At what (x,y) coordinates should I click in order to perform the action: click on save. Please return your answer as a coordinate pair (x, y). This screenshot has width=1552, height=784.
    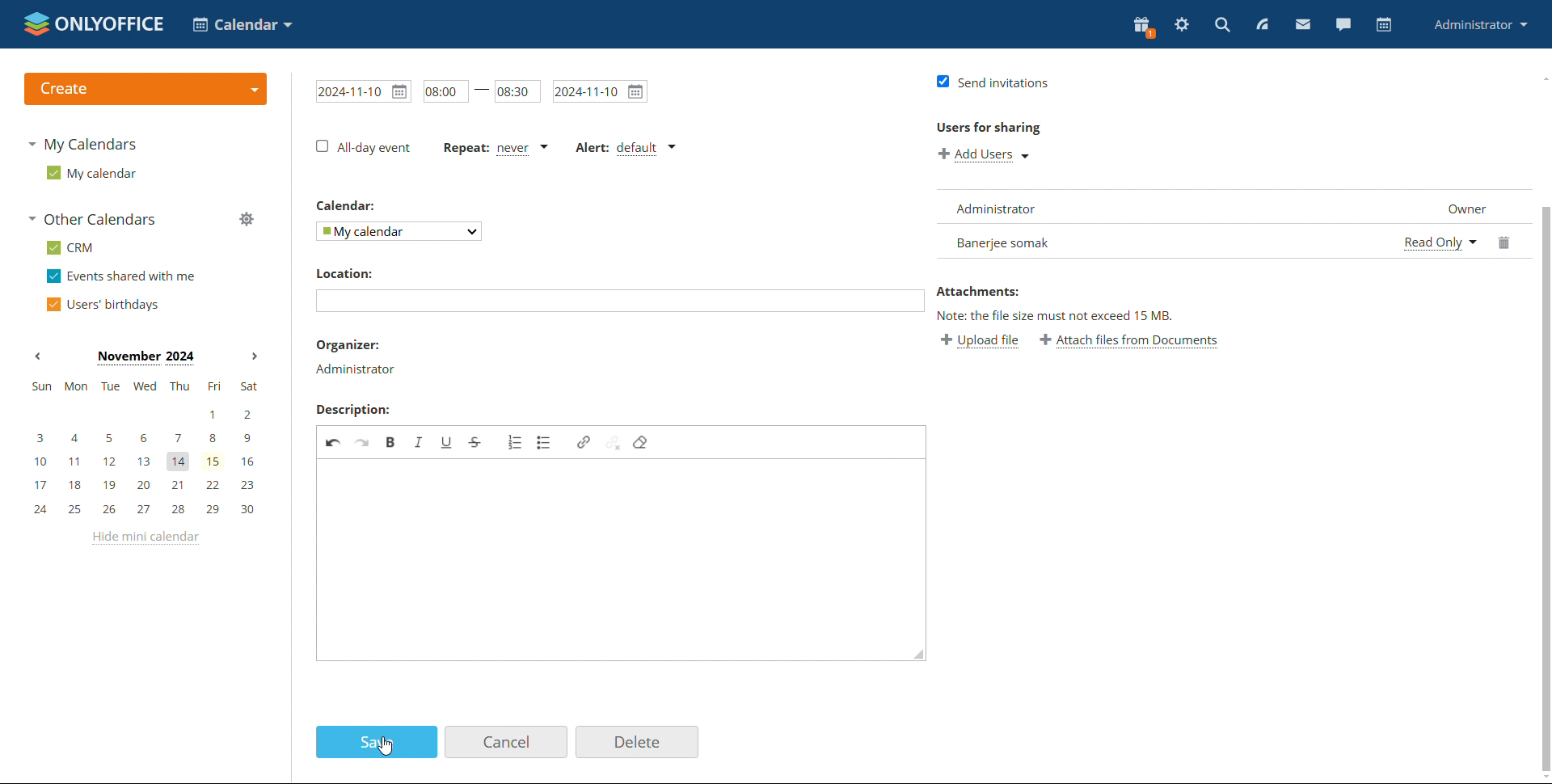
    Looking at the image, I should click on (376, 741).